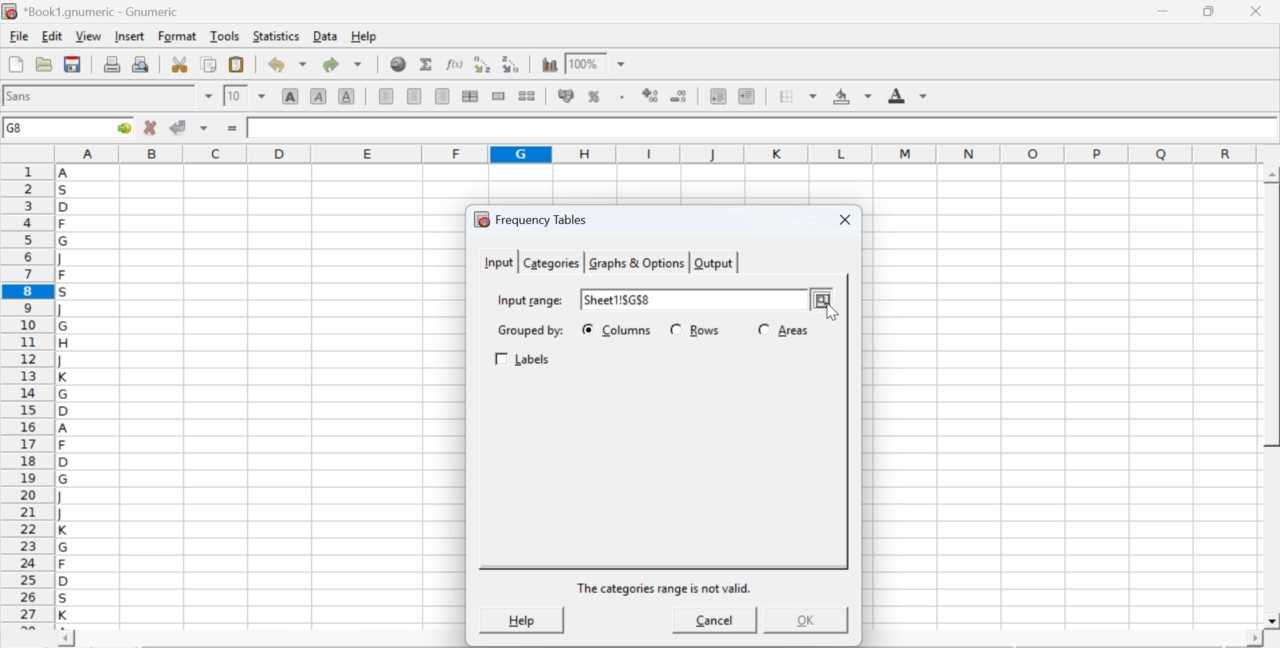  What do you see at coordinates (286, 65) in the screenshot?
I see `undo` at bounding box center [286, 65].